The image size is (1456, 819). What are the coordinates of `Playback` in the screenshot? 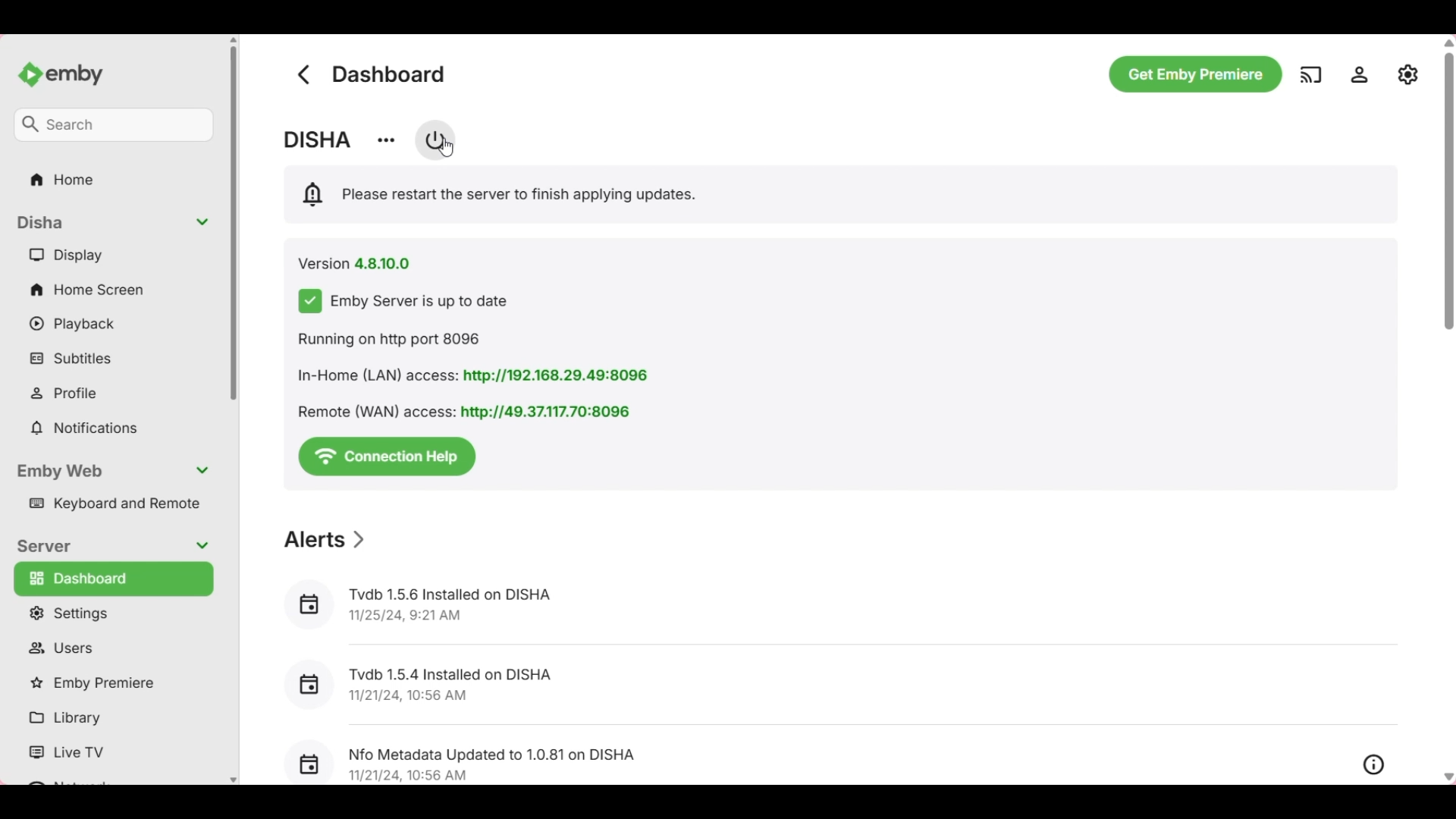 It's located at (113, 324).